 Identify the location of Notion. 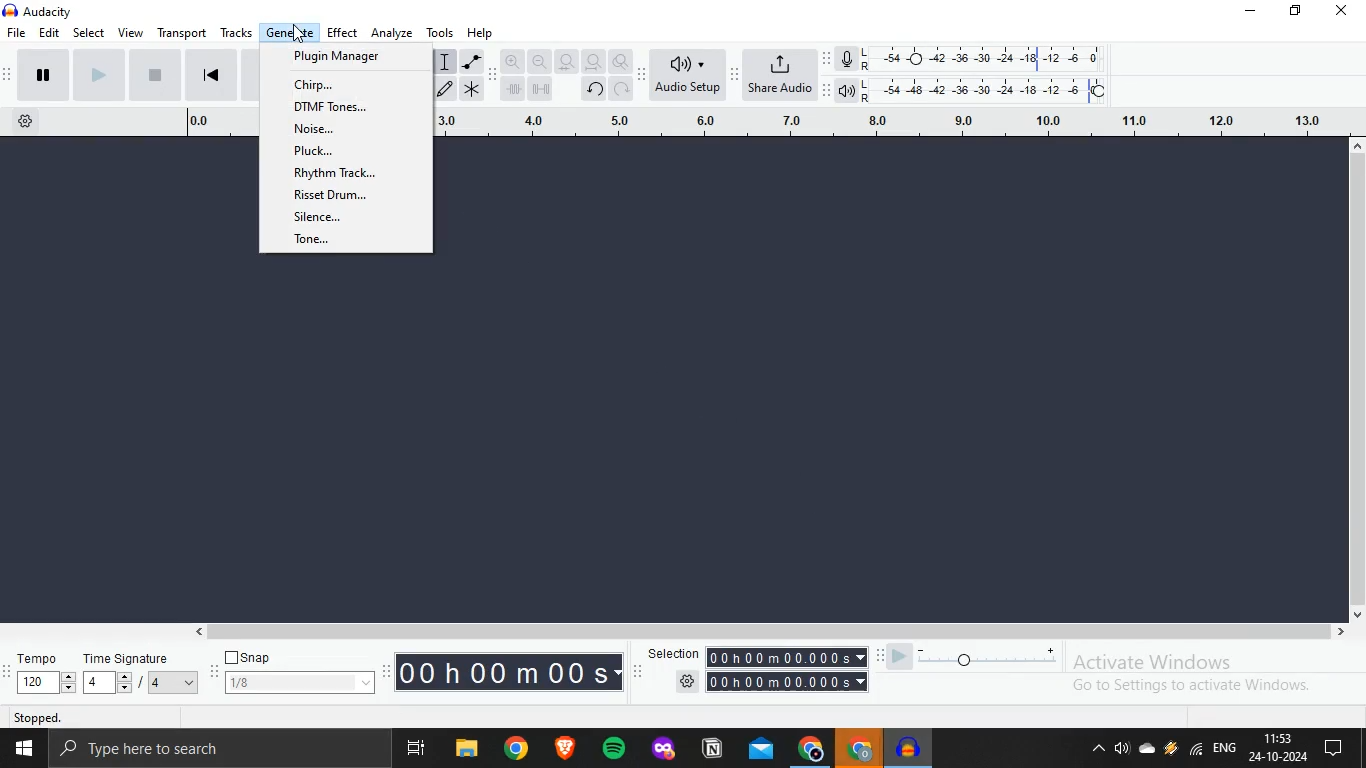
(712, 753).